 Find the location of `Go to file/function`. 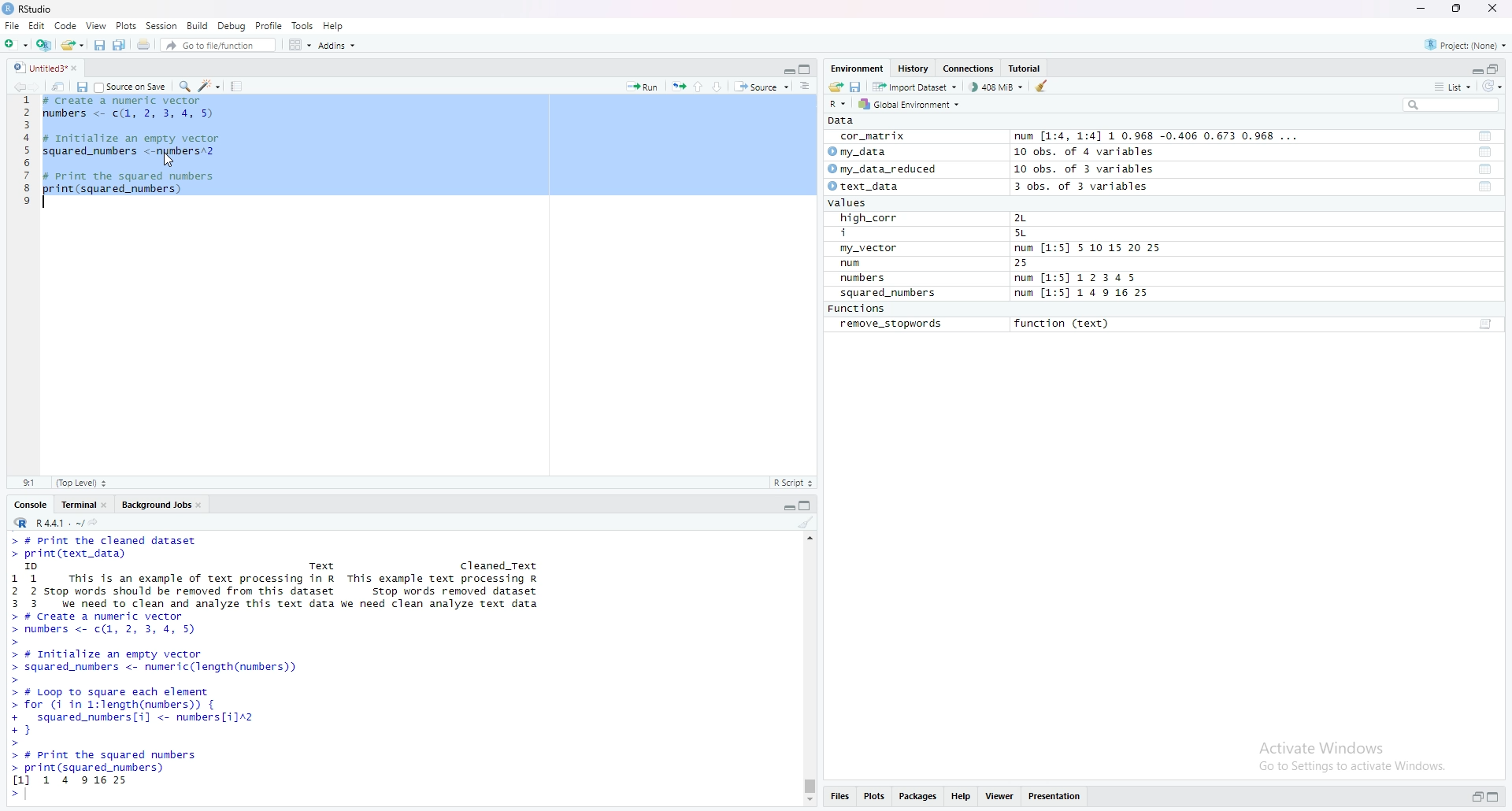

Go to file/function is located at coordinates (217, 43).